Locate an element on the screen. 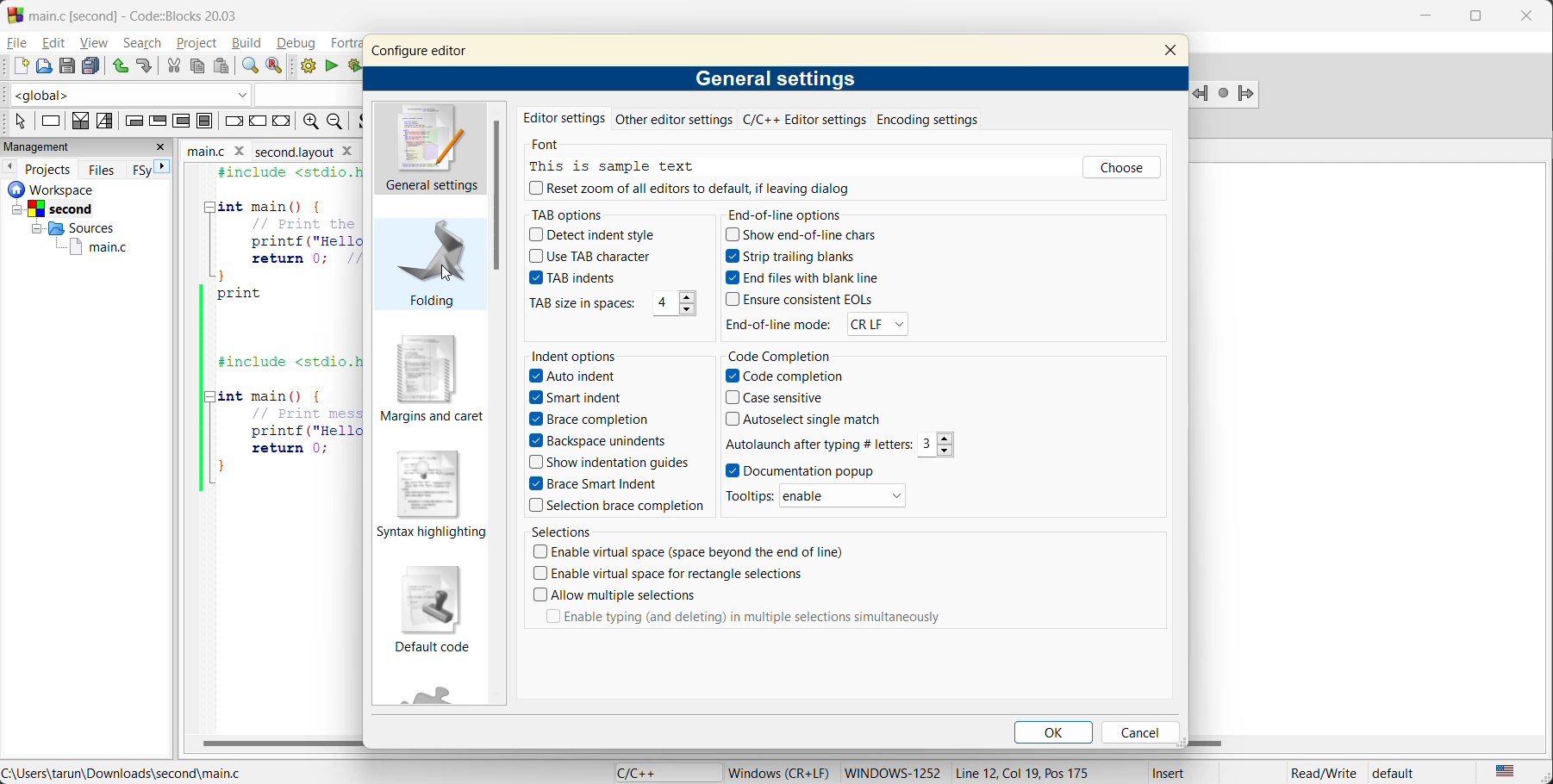 The width and height of the screenshot is (1553, 784). 3 is located at coordinates (935, 445).